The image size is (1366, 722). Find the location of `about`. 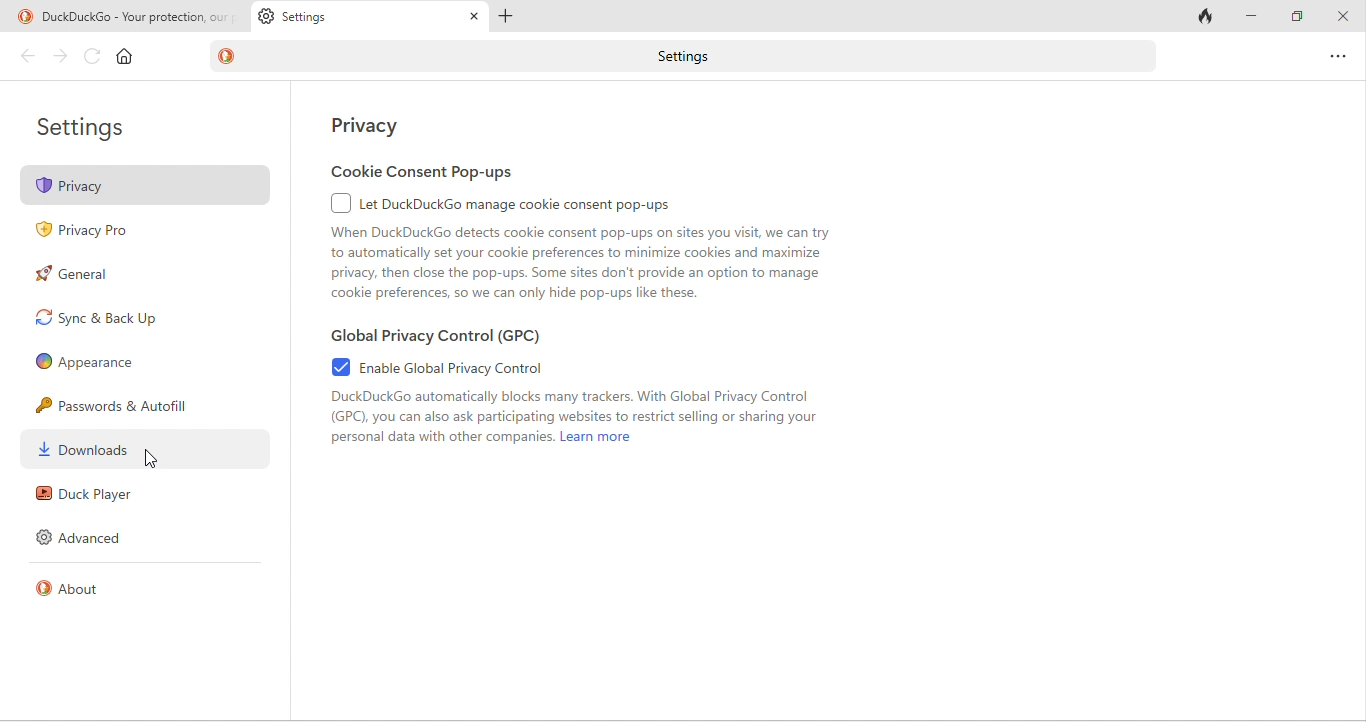

about is located at coordinates (82, 595).